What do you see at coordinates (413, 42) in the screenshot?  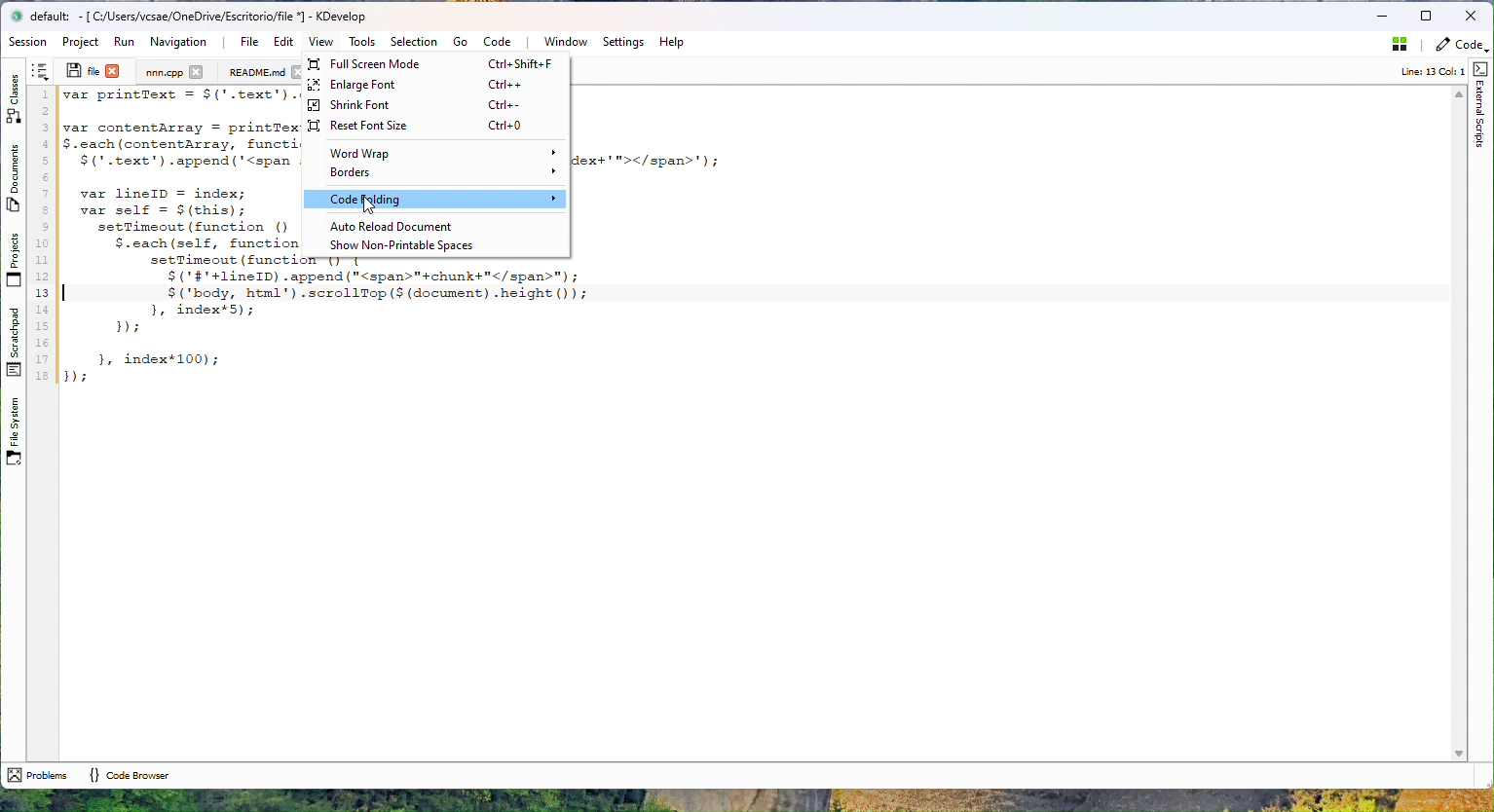 I see `Selection` at bounding box center [413, 42].